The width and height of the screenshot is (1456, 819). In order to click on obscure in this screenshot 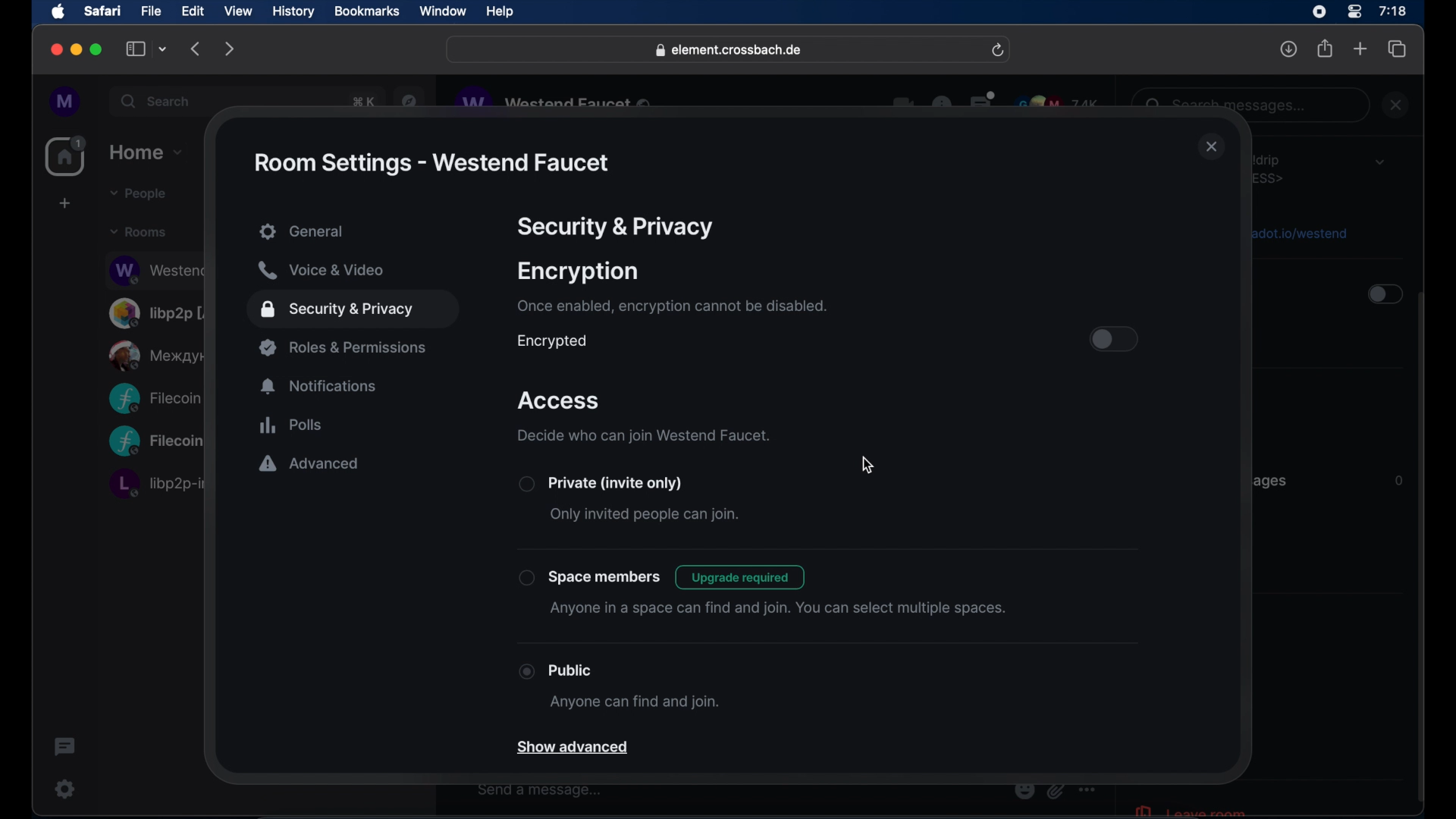, I will do `click(158, 355)`.